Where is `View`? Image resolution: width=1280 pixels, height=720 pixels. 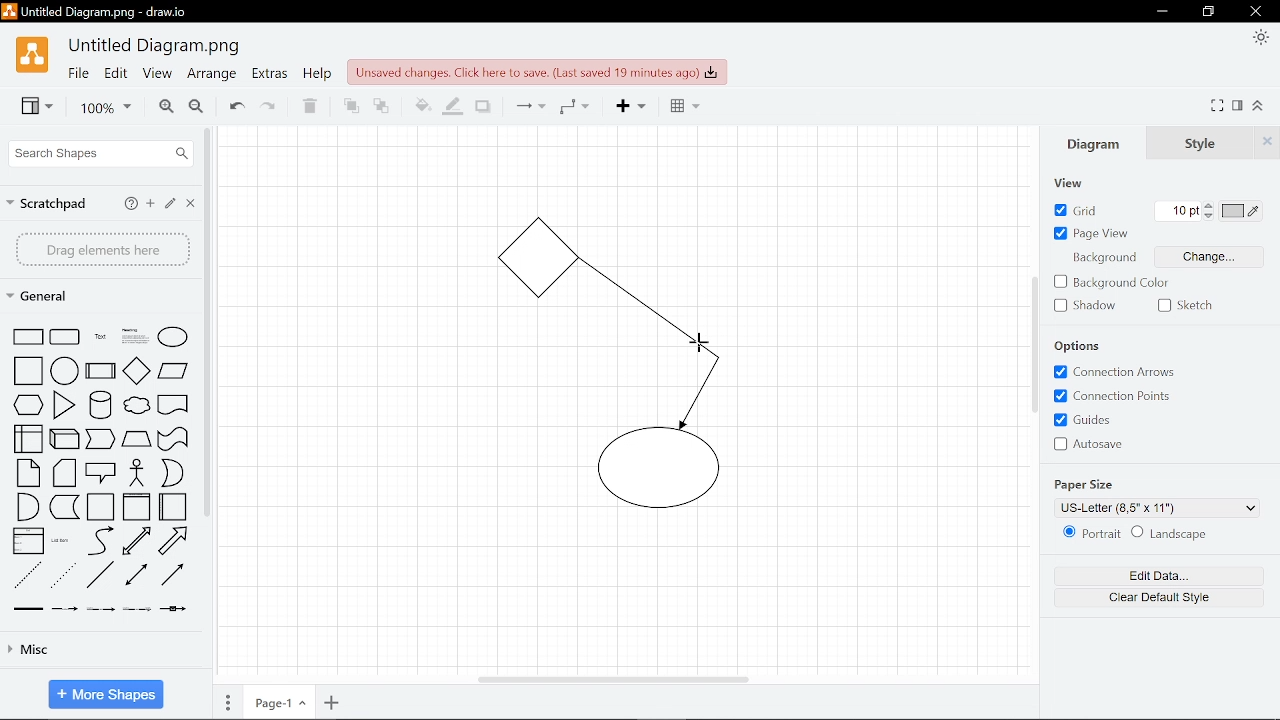 View is located at coordinates (1070, 184).